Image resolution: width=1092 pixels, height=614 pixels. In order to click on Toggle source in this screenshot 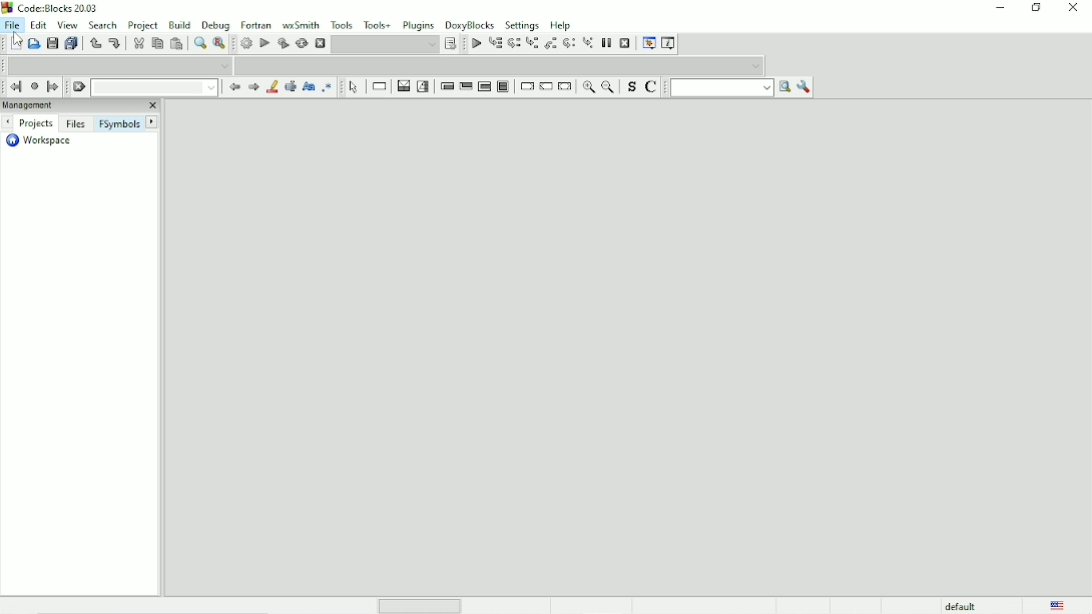, I will do `click(629, 87)`.